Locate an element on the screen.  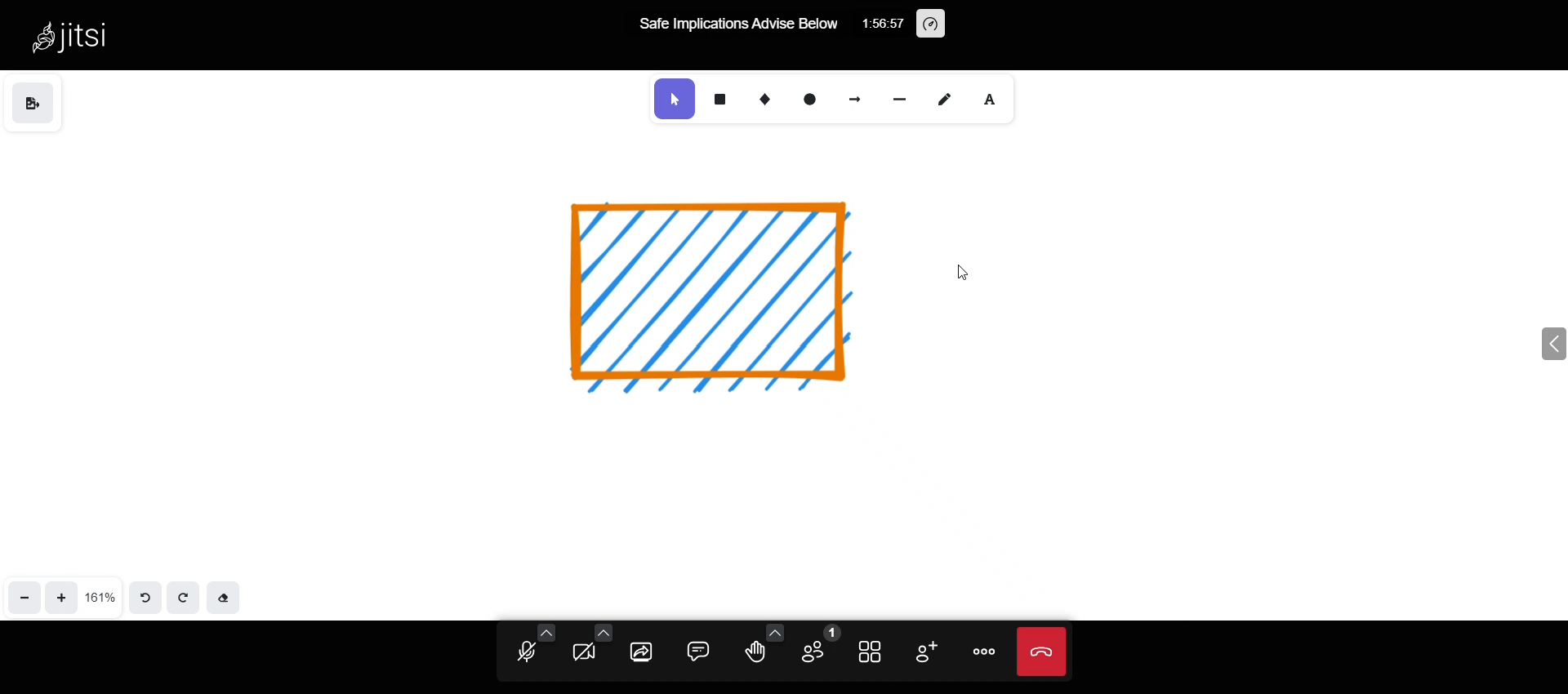
1:56:57 is located at coordinates (883, 22).